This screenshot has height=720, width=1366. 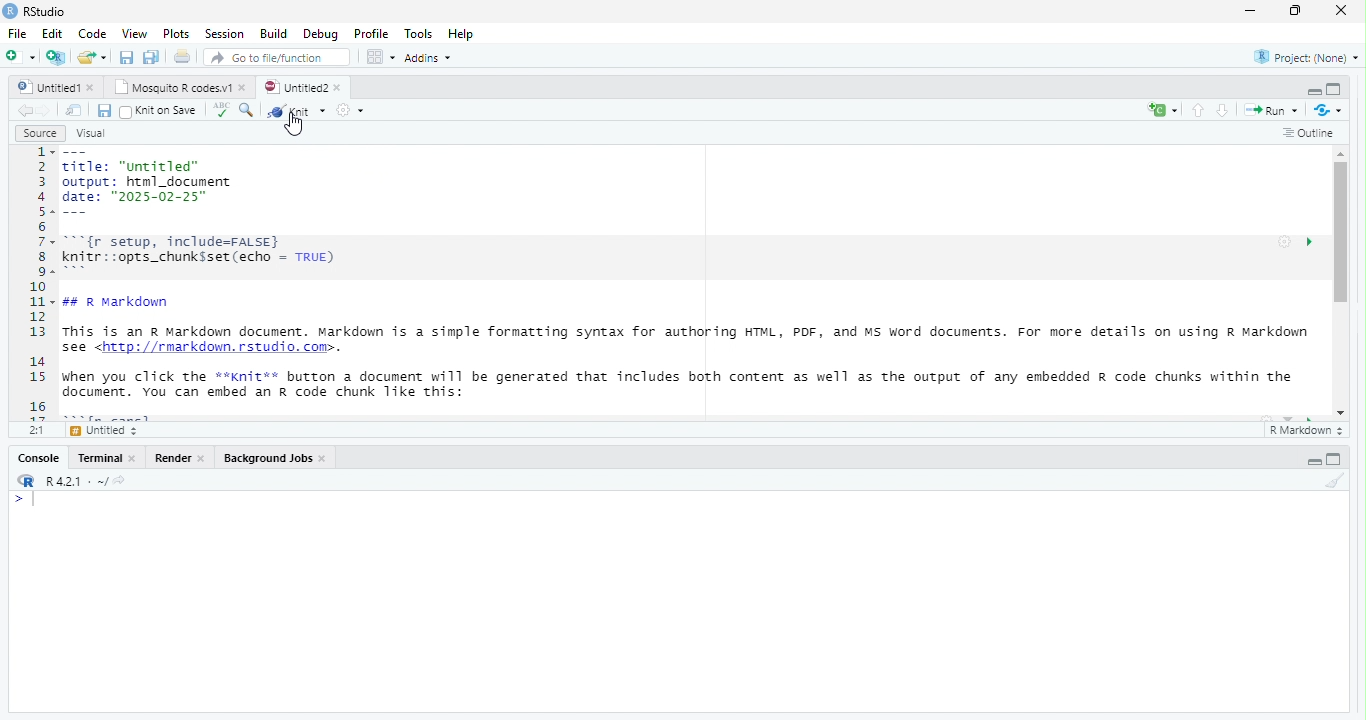 I want to click on maximise, so click(x=1296, y=11).